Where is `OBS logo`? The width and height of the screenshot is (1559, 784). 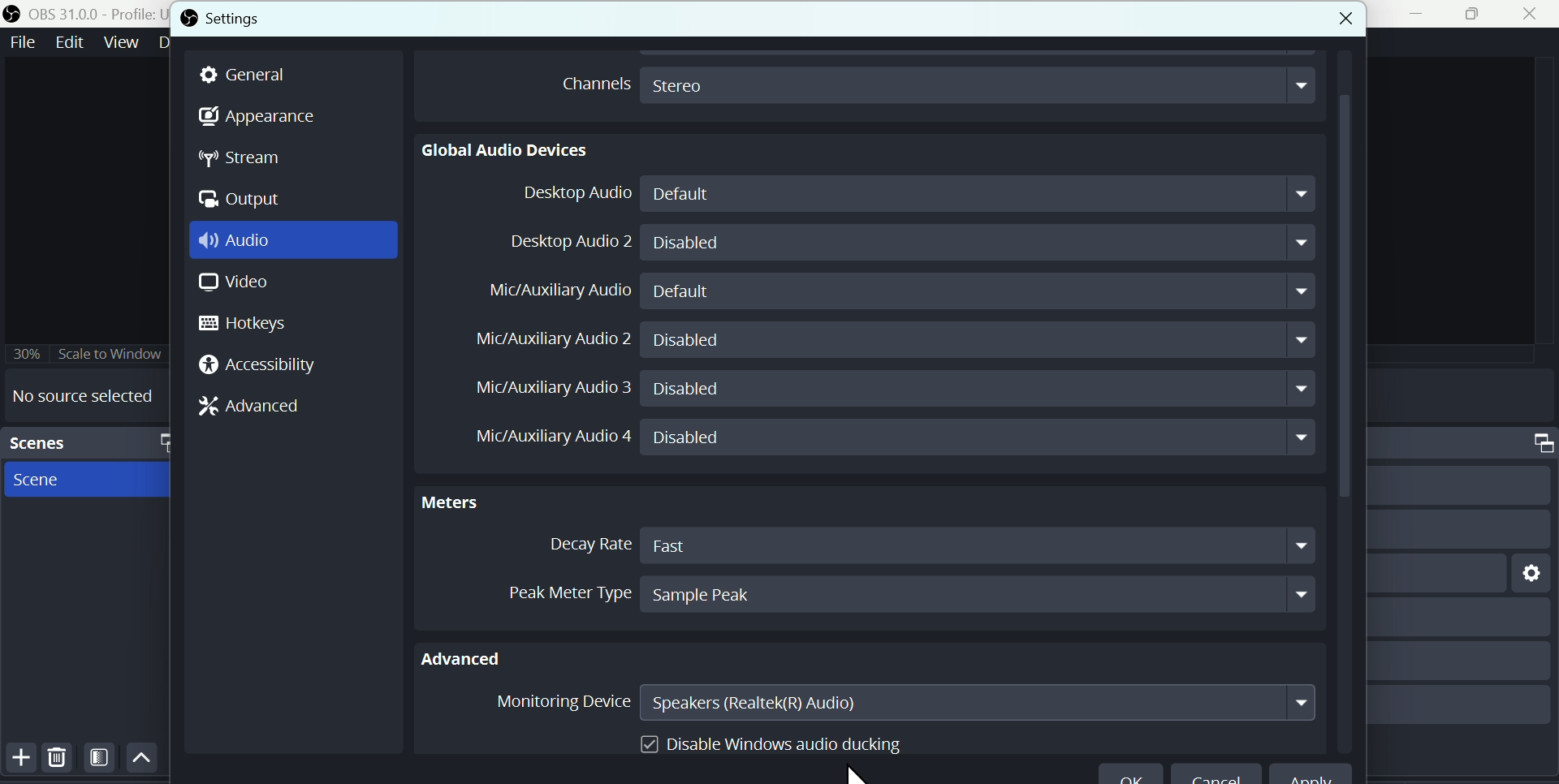
OBS logo is located at coordinates (14, 13).